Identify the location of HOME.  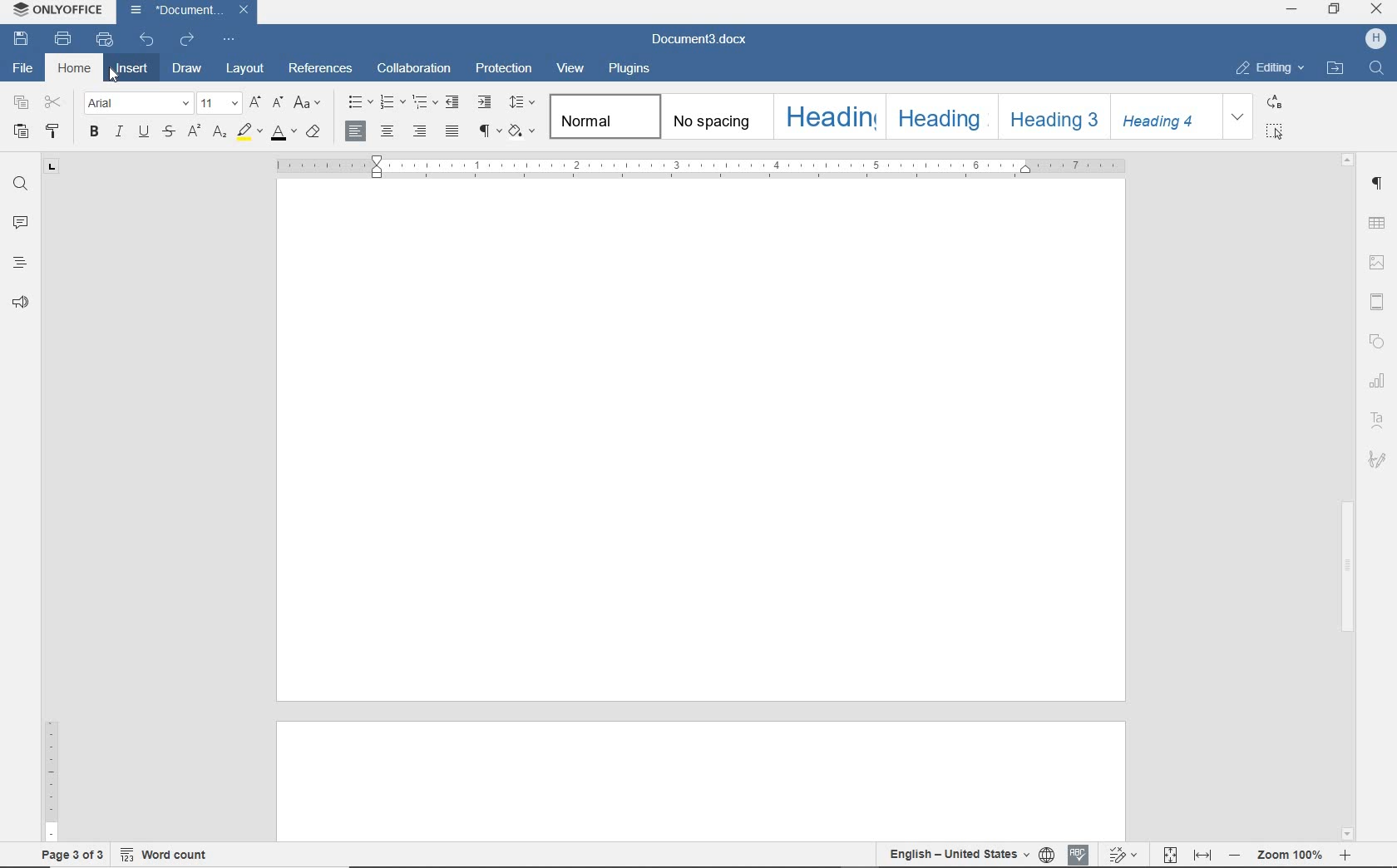
(76, 69).